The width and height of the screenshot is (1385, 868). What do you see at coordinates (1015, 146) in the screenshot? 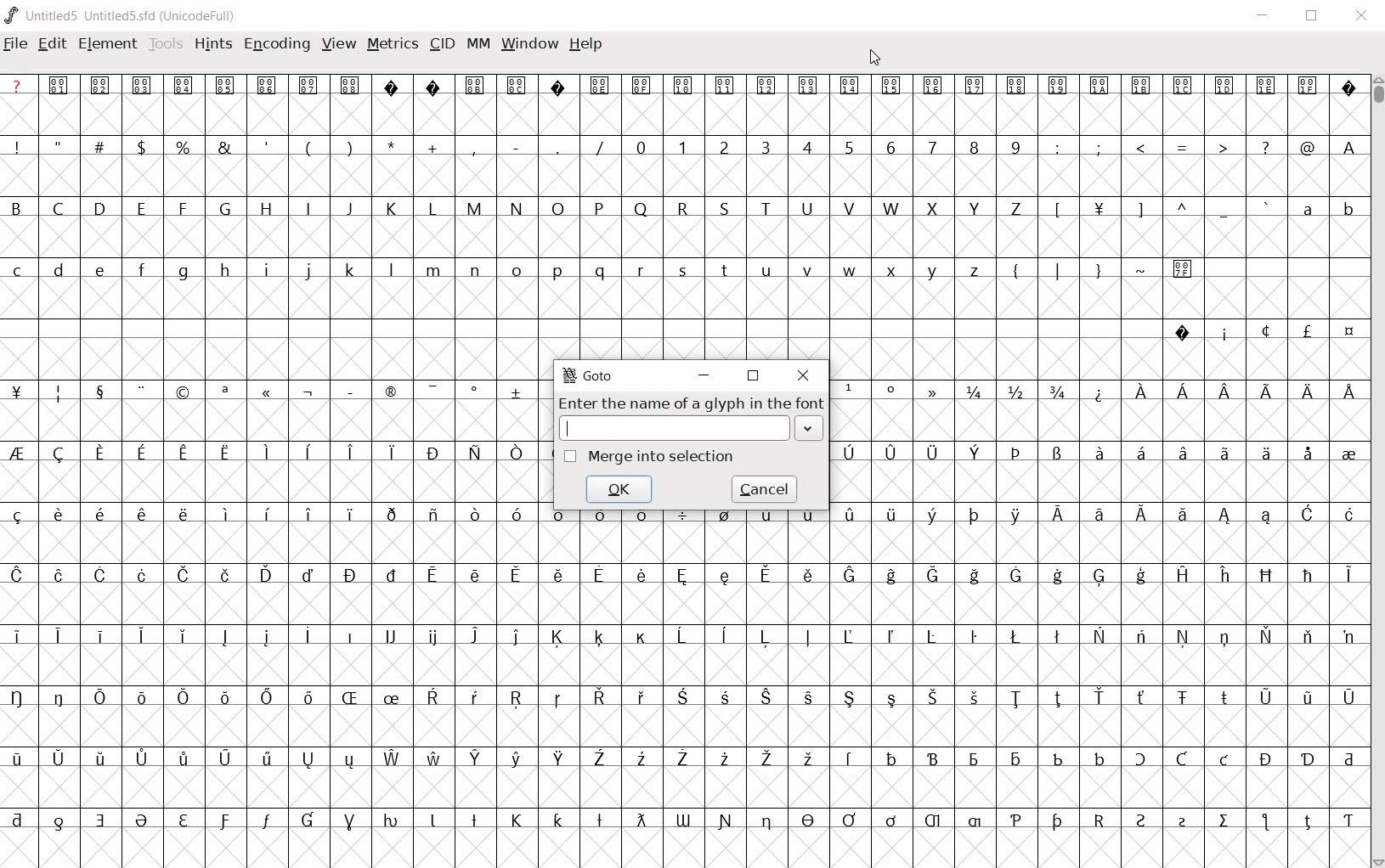
I see `9` at bounding box center [1015, 146].